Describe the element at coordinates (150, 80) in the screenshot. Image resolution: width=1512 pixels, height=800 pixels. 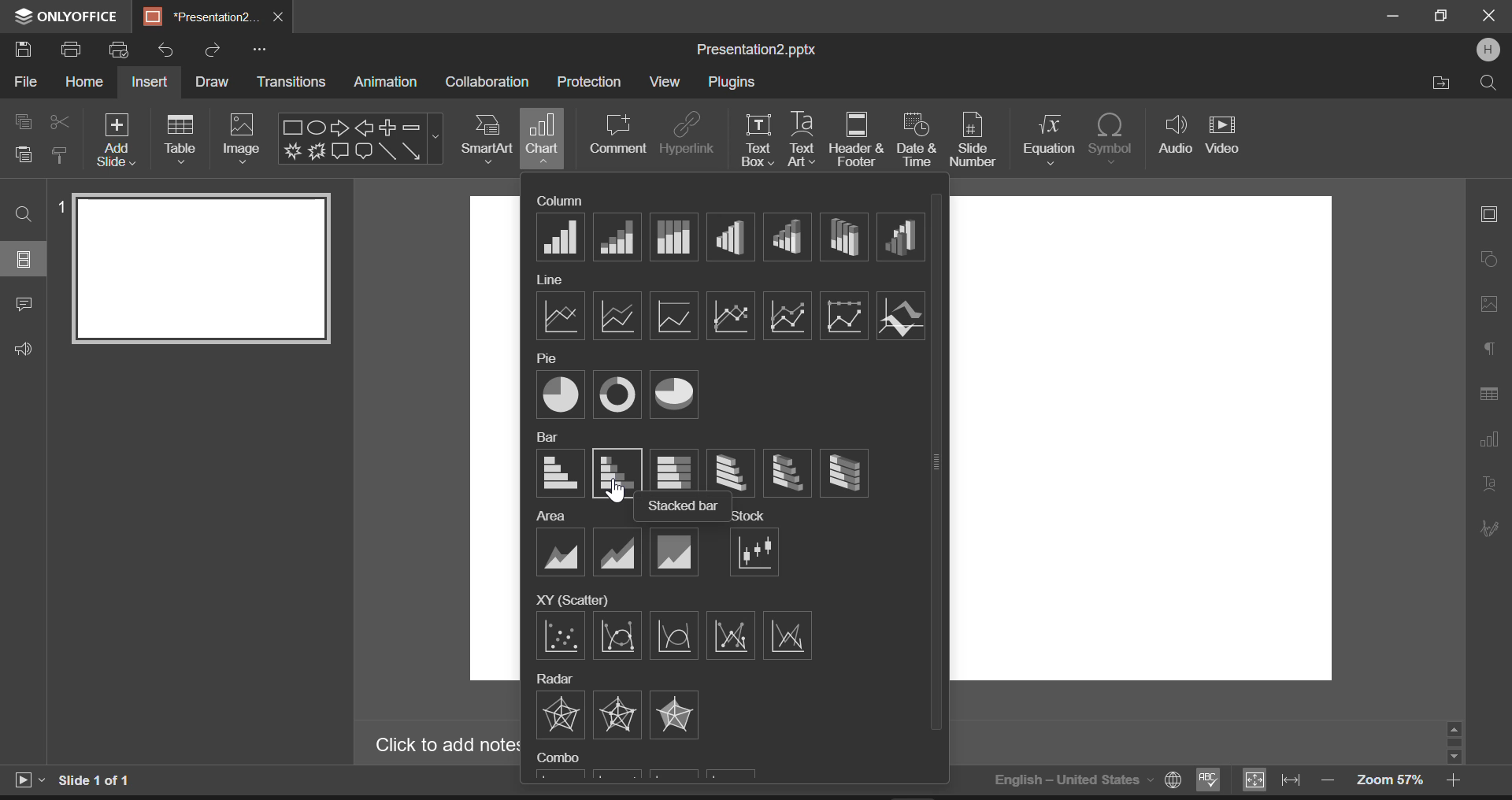
I see `Insert` at that location.